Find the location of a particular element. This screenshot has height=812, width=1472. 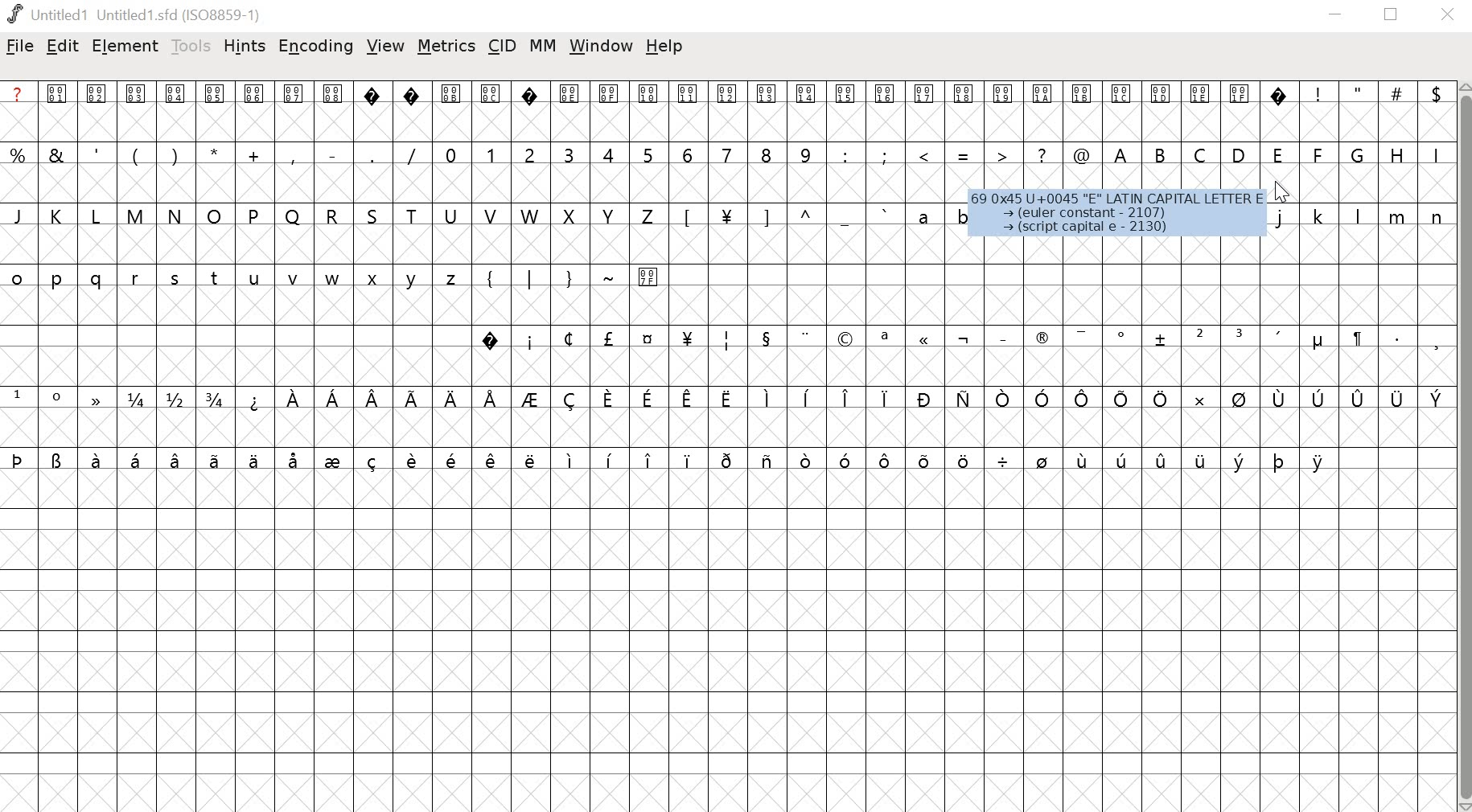

view is located at coordinates (386, 49).